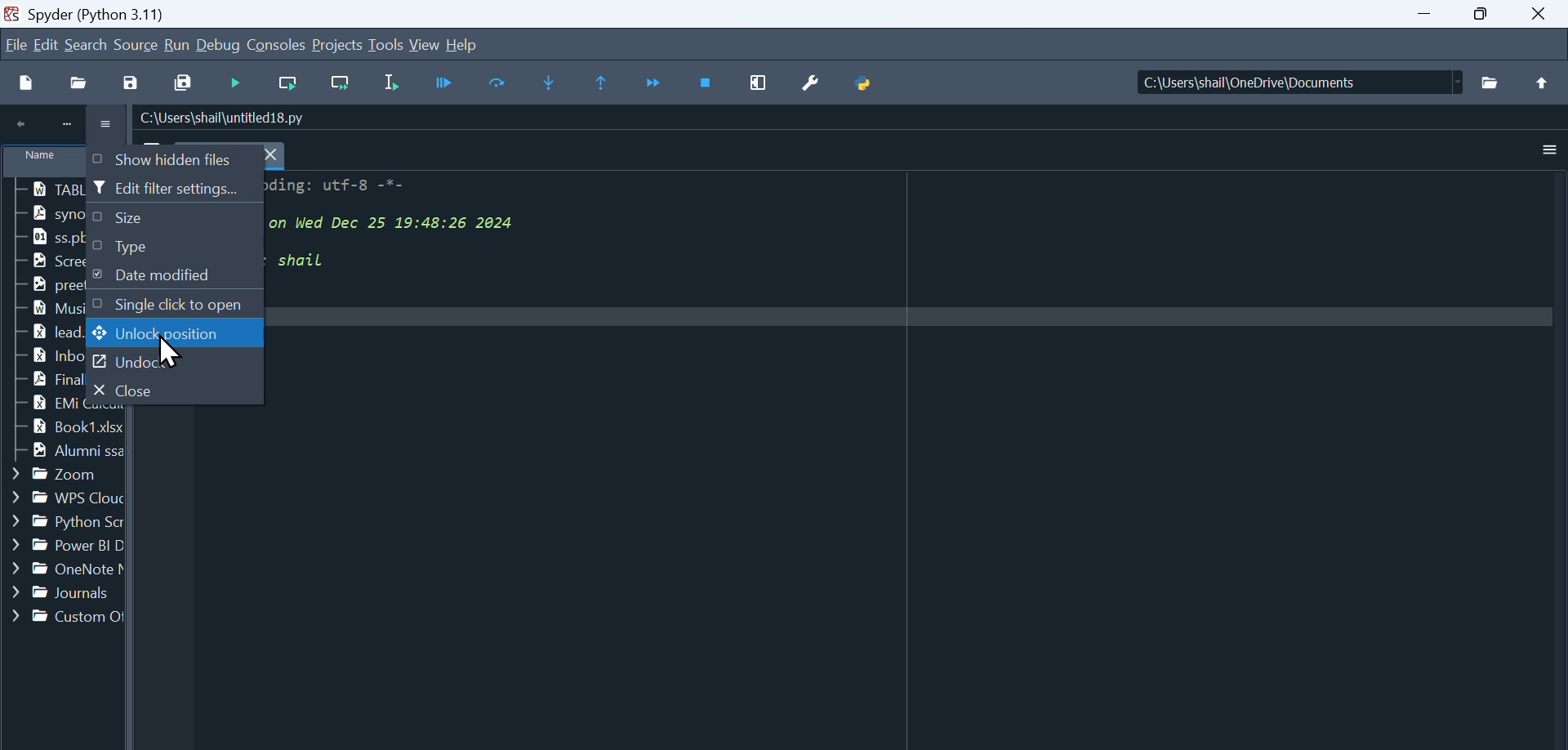  I want to click on single click to open, so click(171, 304).